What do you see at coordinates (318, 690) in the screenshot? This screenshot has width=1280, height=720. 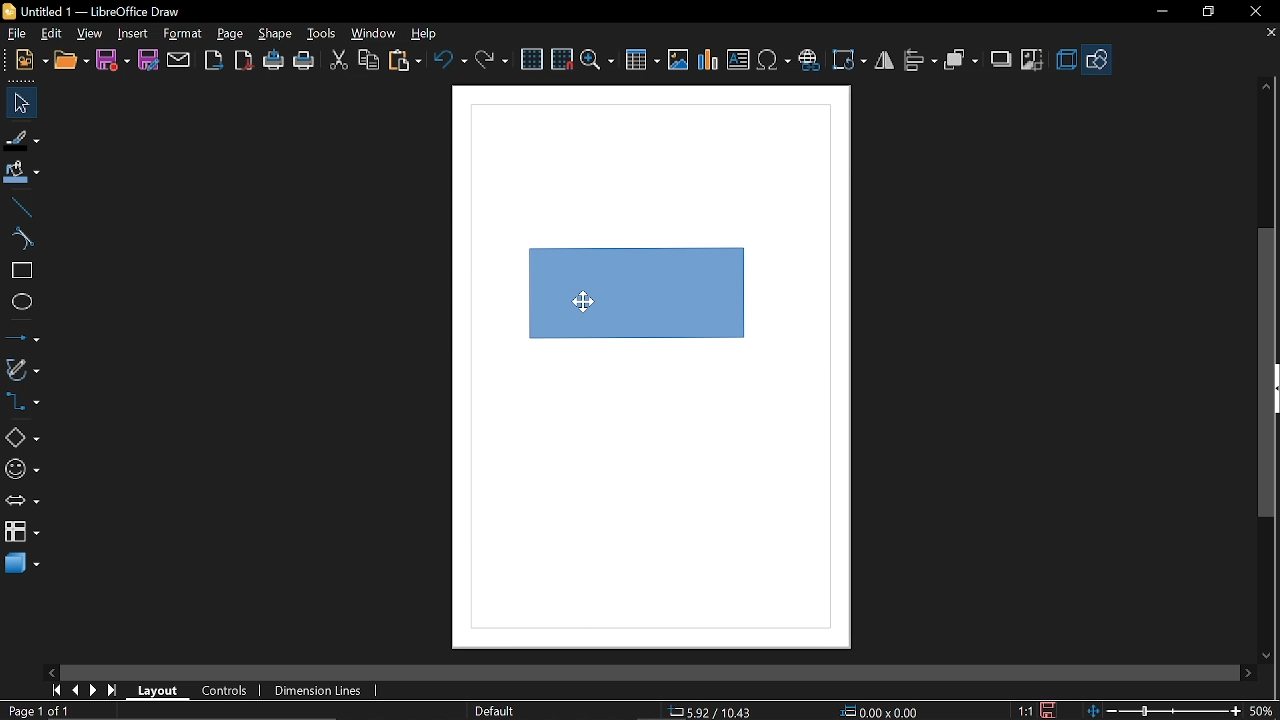 I see `dimension lines` at bounding box center [318, 690].